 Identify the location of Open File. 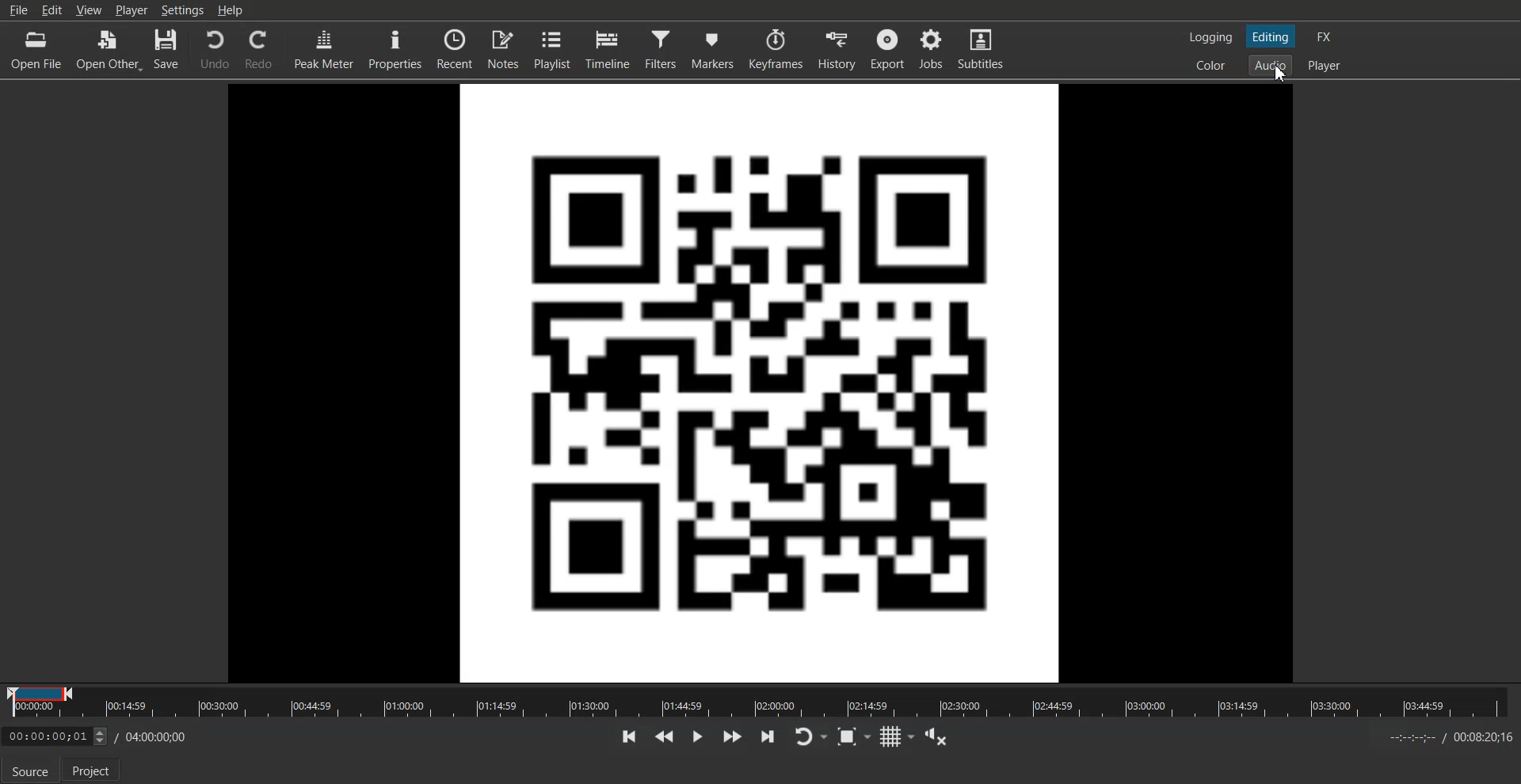
(35, 48).